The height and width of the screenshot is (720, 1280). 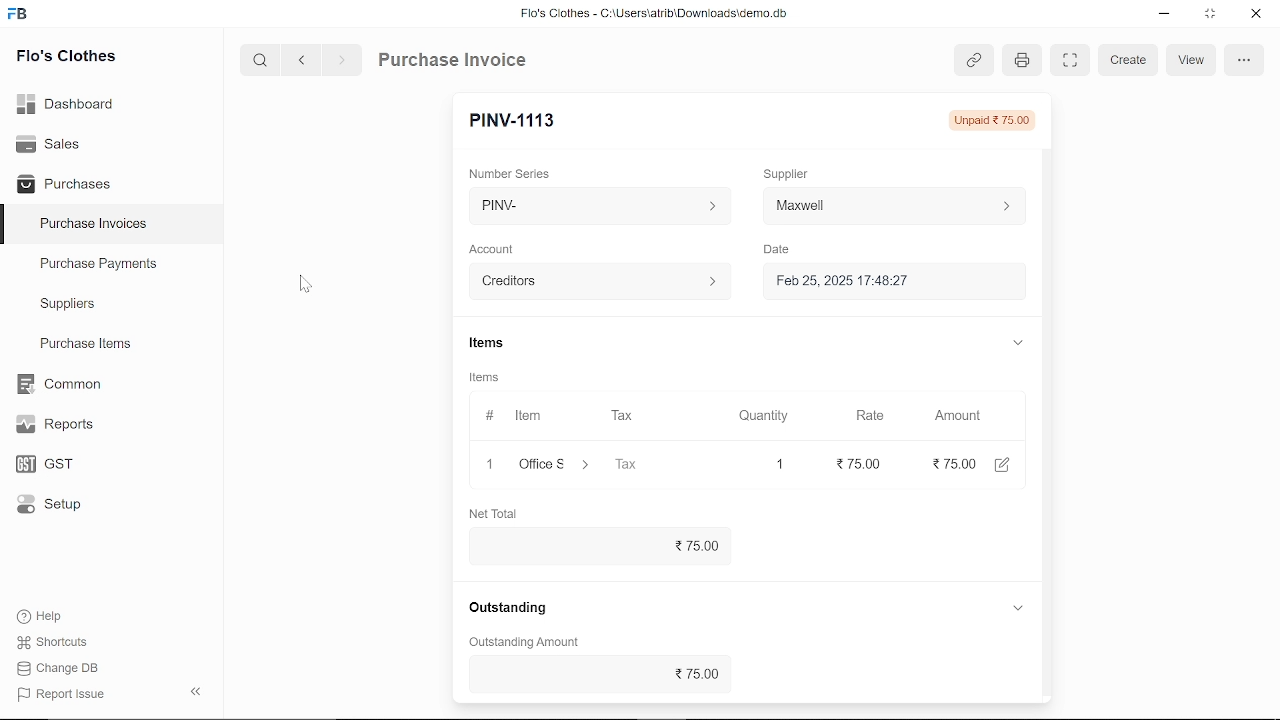 What do you see at coordinates (514, 416) in the screenshot?
I see `Item` at bounding box center [514, 416].